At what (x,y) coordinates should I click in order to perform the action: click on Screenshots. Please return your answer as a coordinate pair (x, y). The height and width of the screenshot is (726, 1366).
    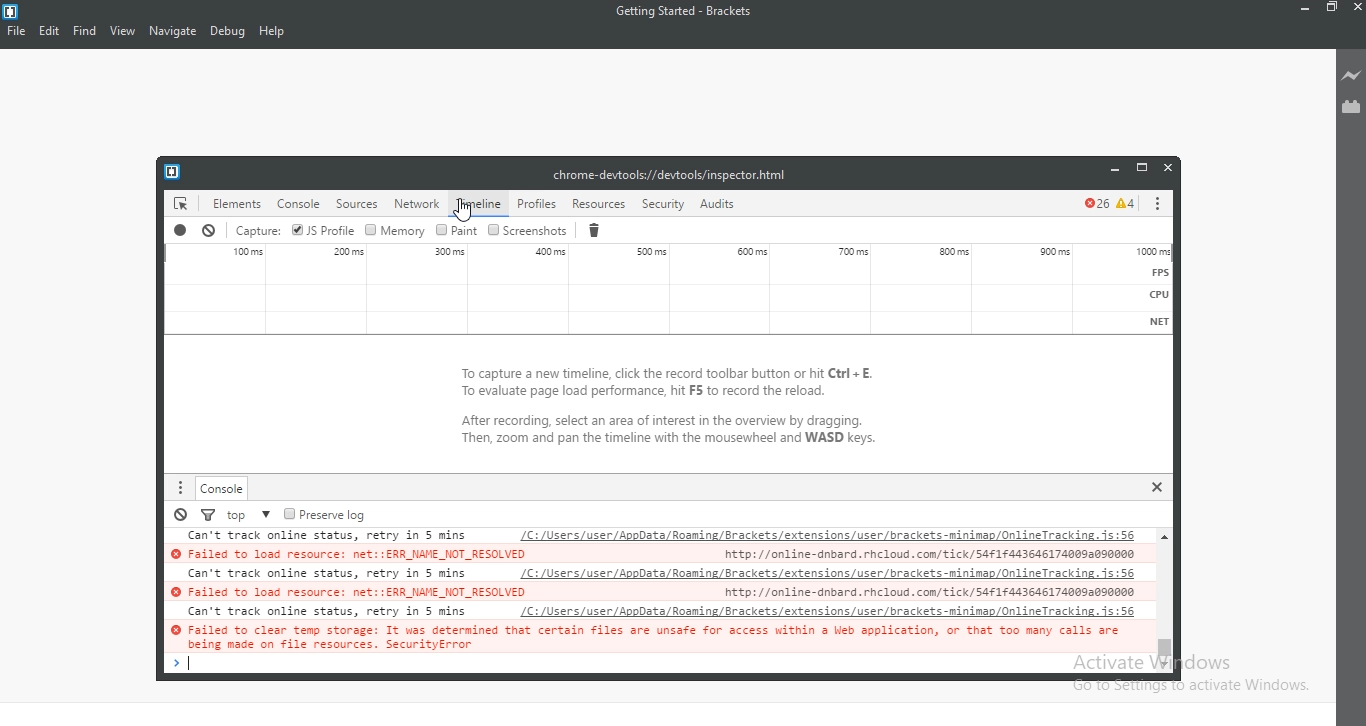
    Looking at the image, I should click on (529, 230).